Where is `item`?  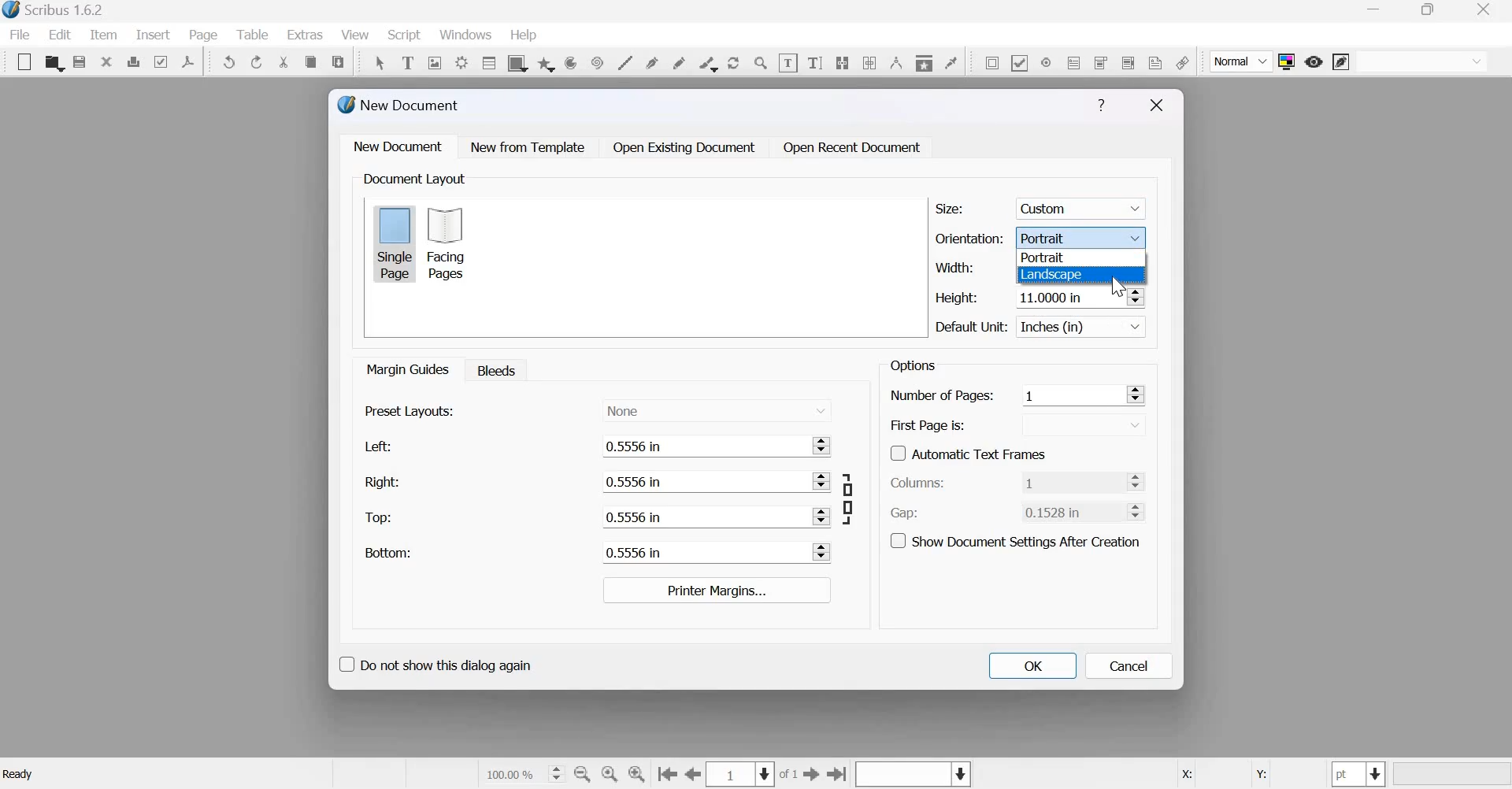
item is located at coordinates (102, 35).